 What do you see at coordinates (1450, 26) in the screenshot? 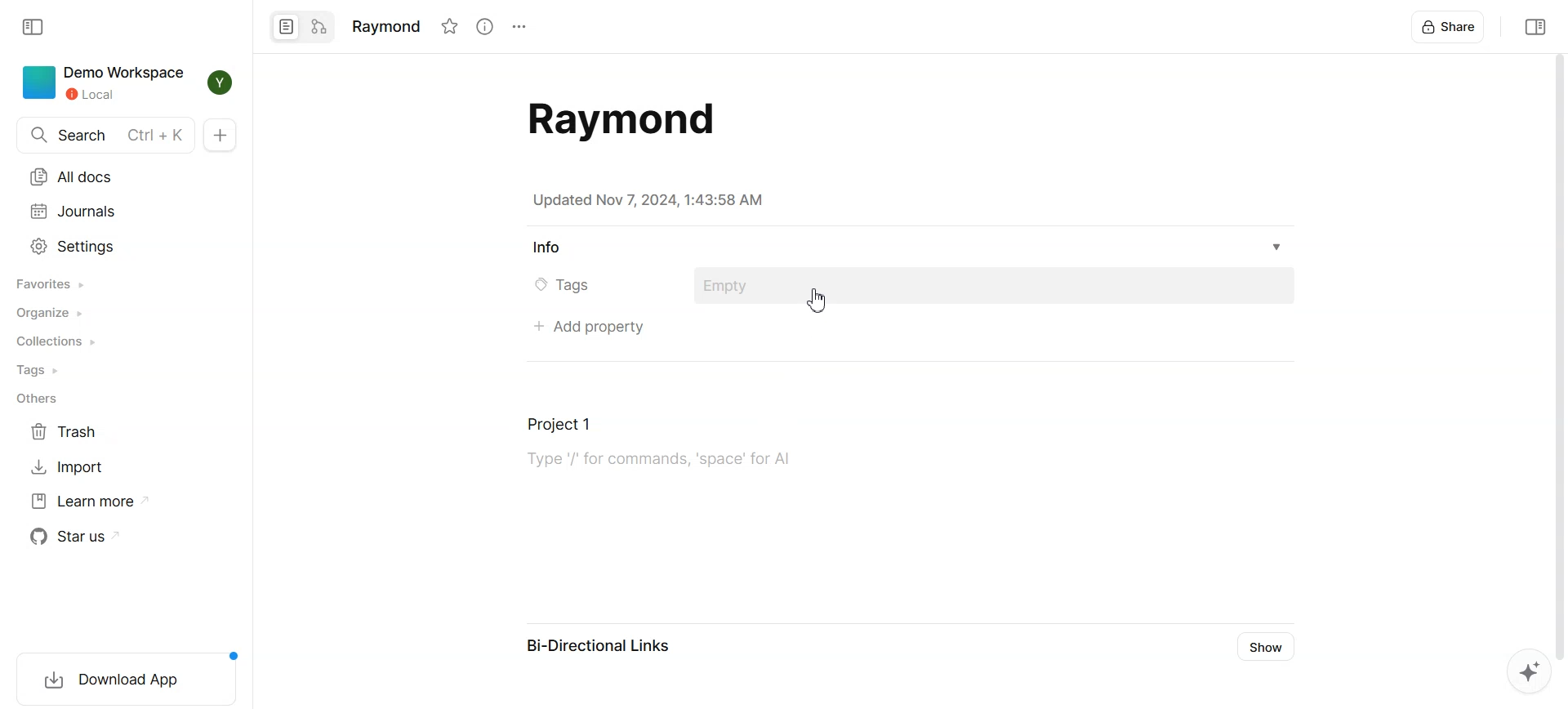
I see `Share` at bounding box center [1450, 26].